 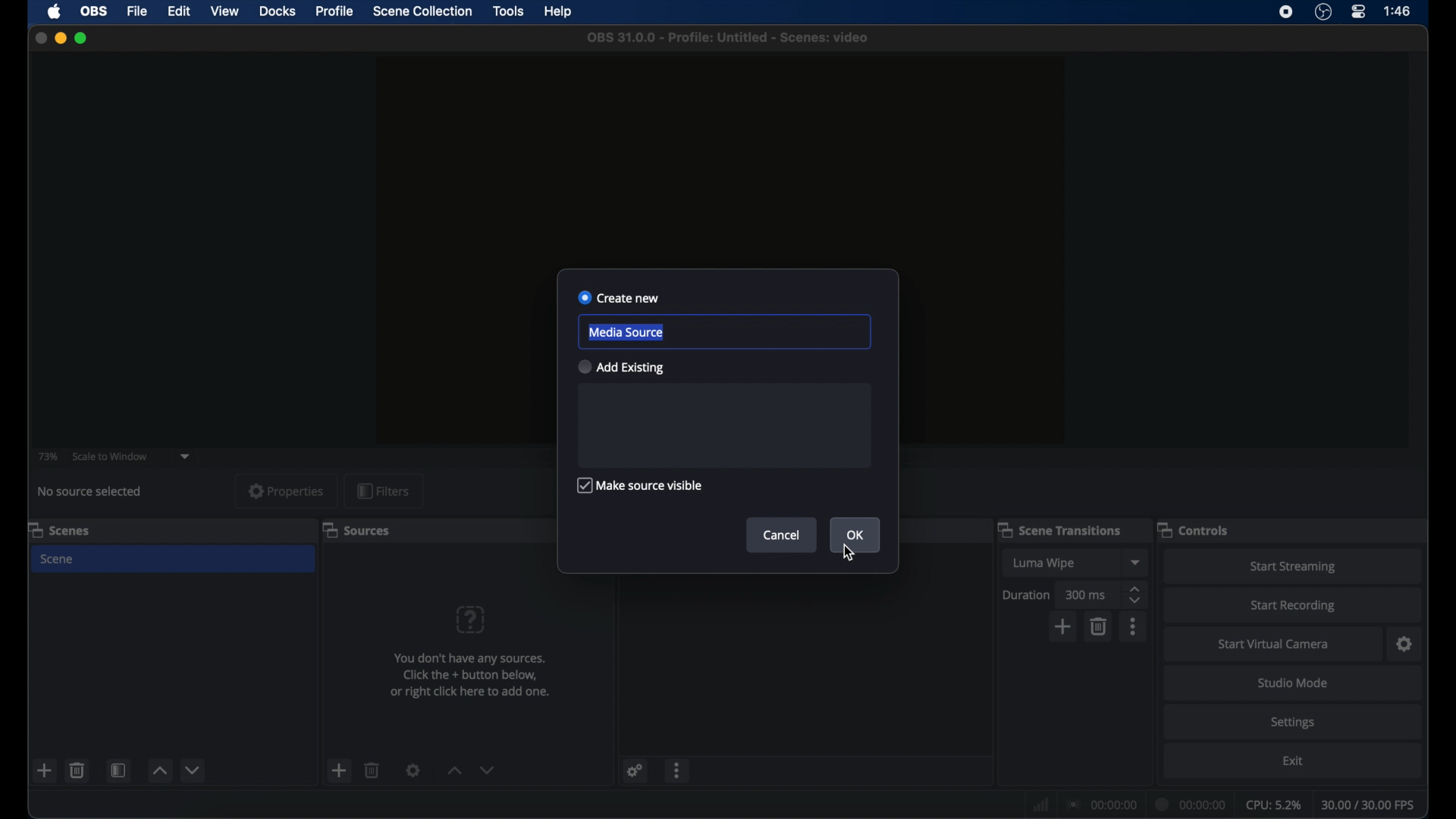 I want to click on sources, so click(x=356, y=531).